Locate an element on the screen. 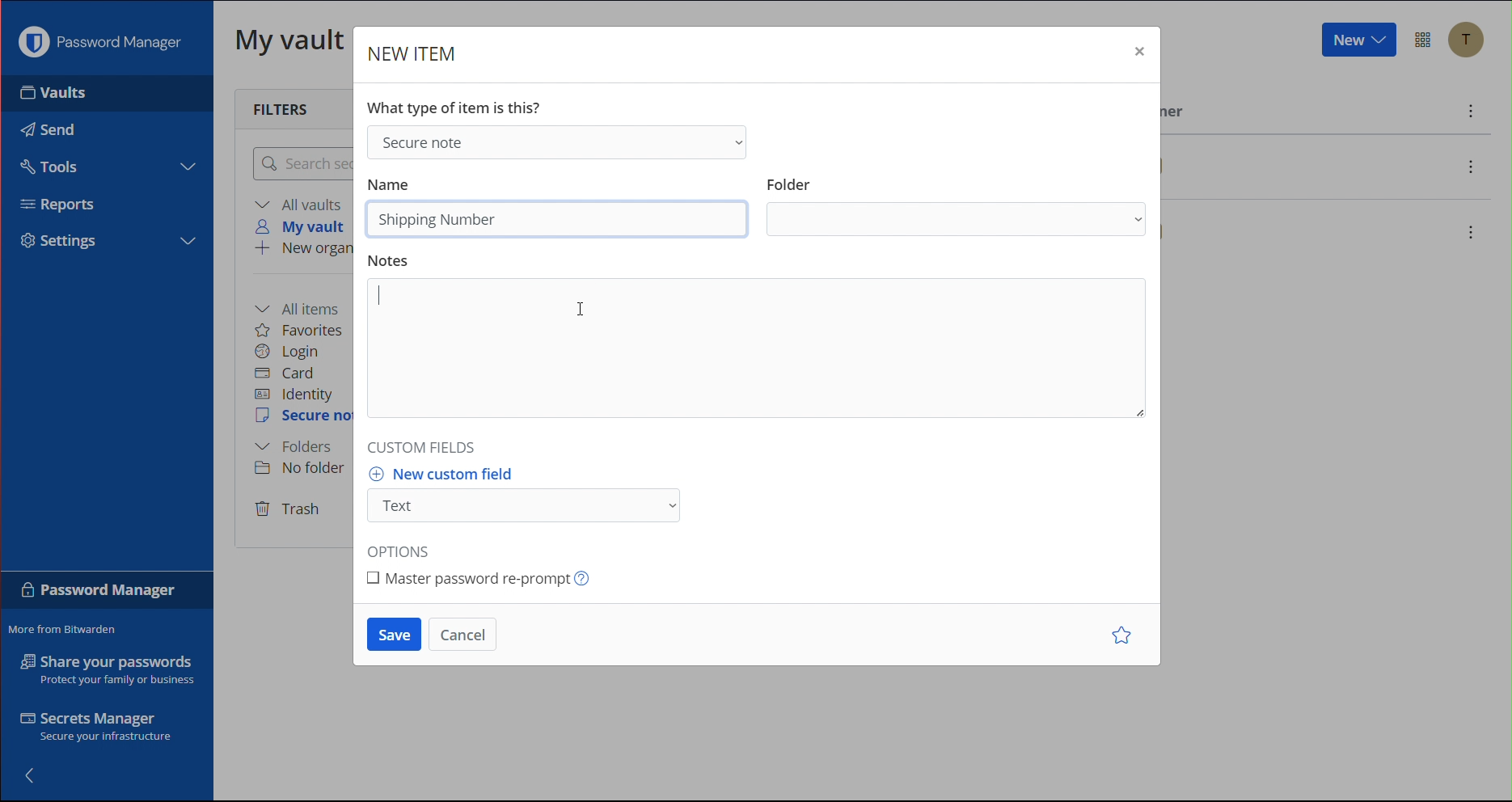  Trash is located at coordinates (290, 510).